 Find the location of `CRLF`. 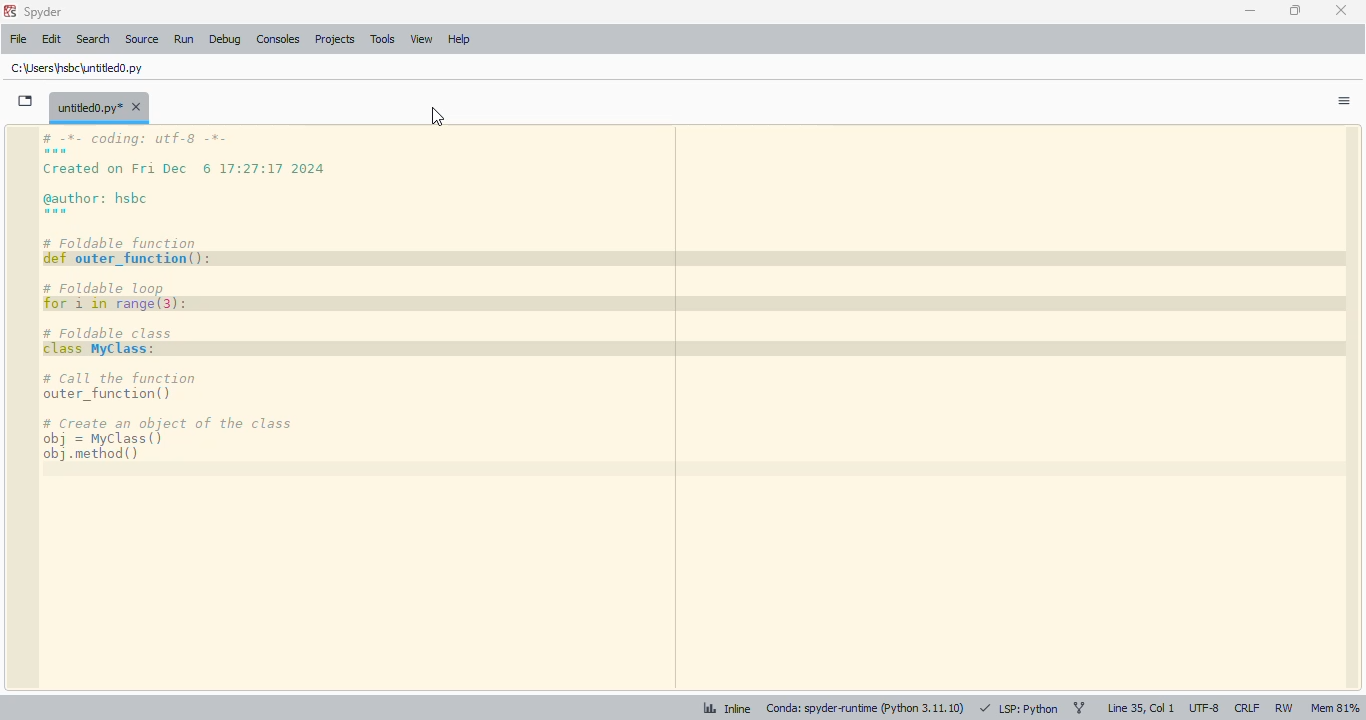

CRLF is located at coordinates (1246, 708).